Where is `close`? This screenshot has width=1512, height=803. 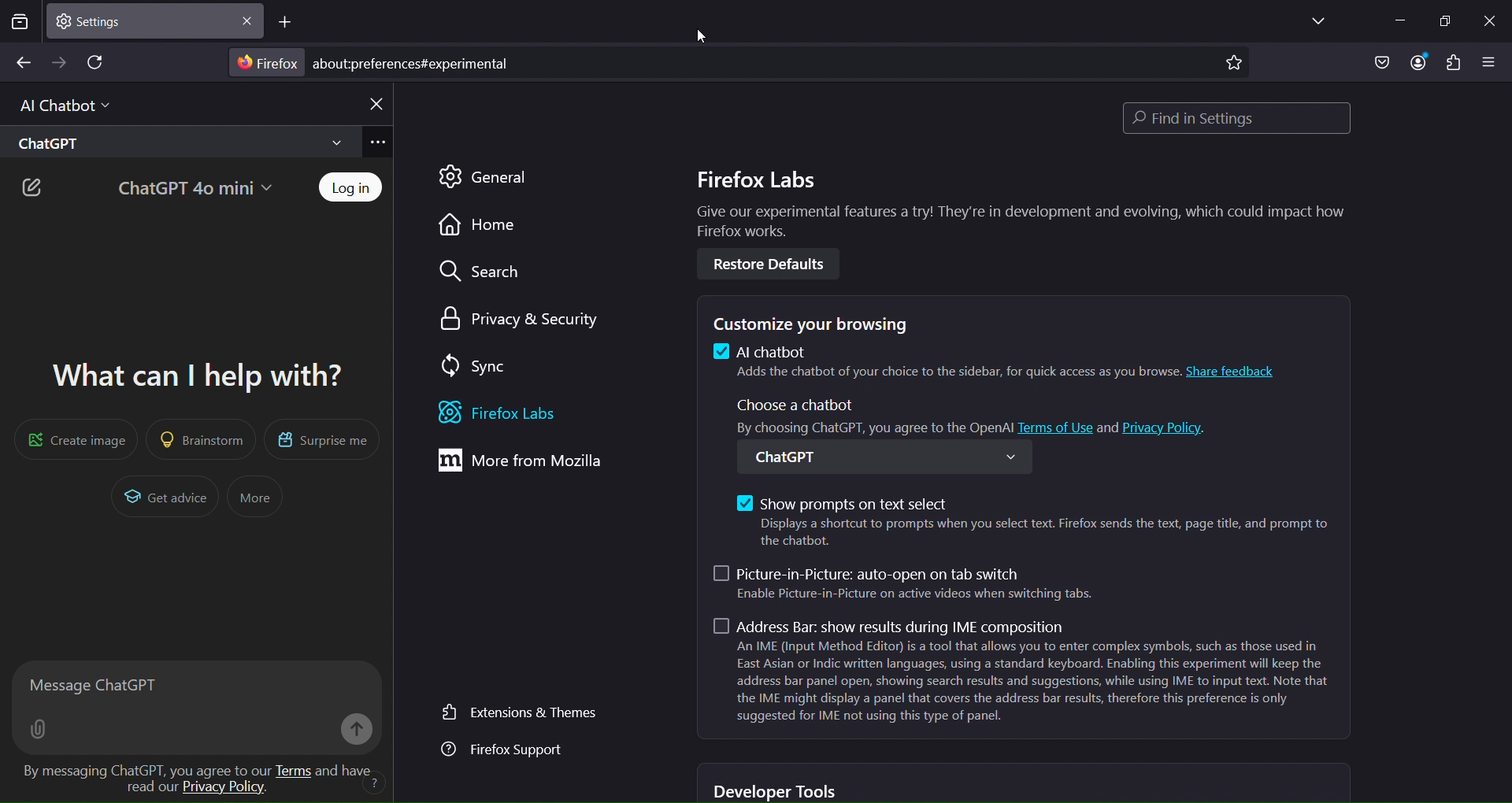
close is located at coordinates (246, 24).